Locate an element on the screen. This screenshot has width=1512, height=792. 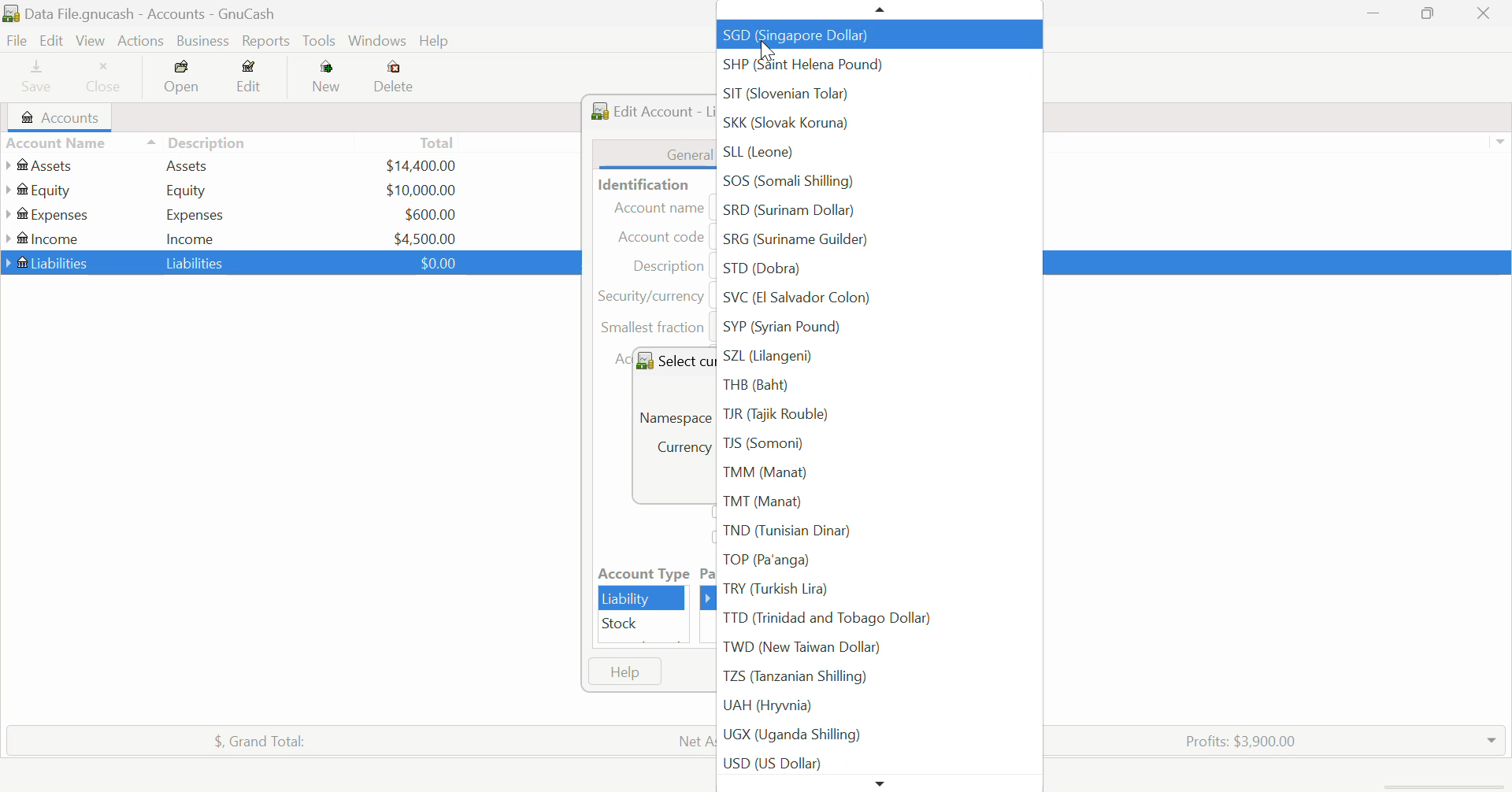
Edit is located at coordinates (50, 41).